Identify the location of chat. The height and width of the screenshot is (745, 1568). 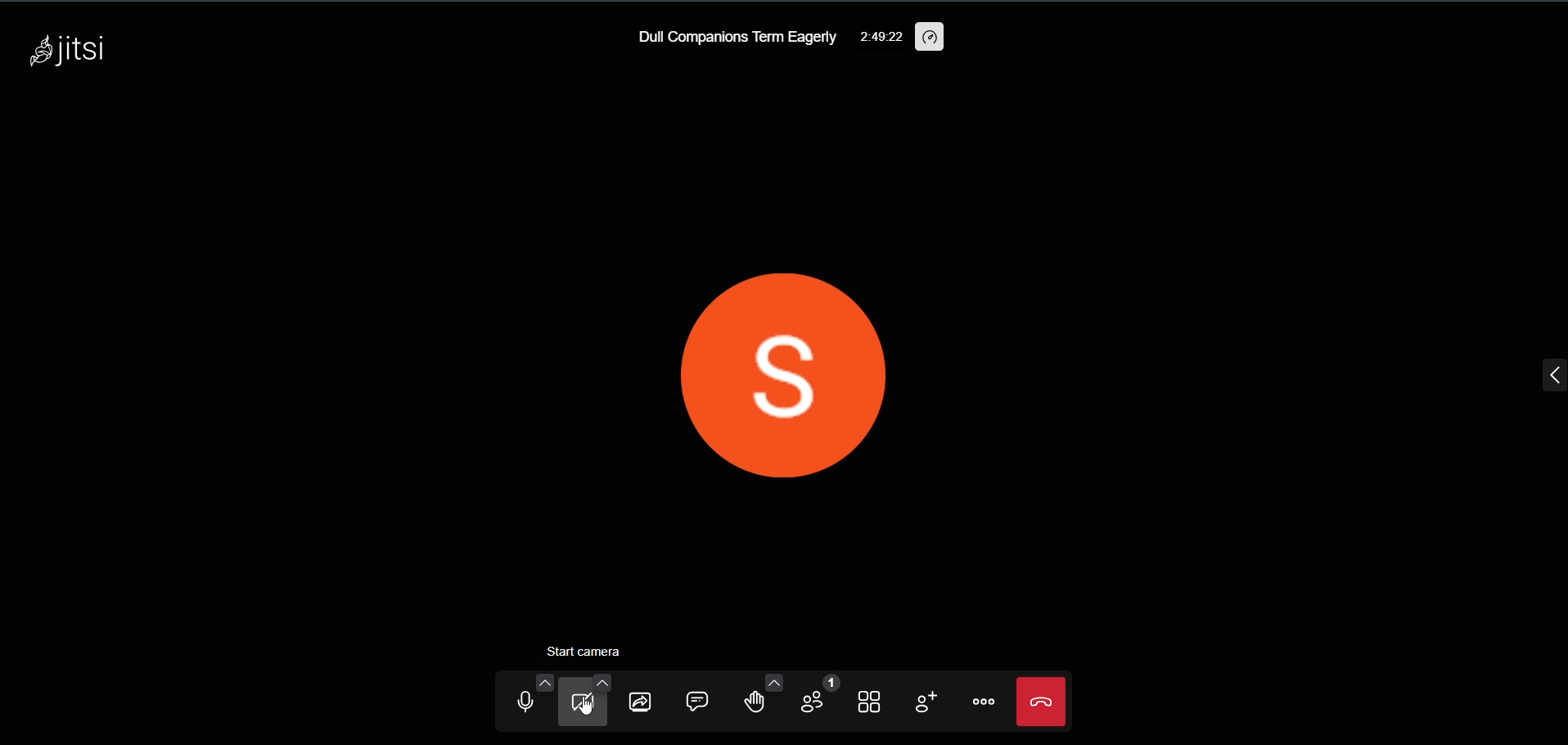
(693, 698).